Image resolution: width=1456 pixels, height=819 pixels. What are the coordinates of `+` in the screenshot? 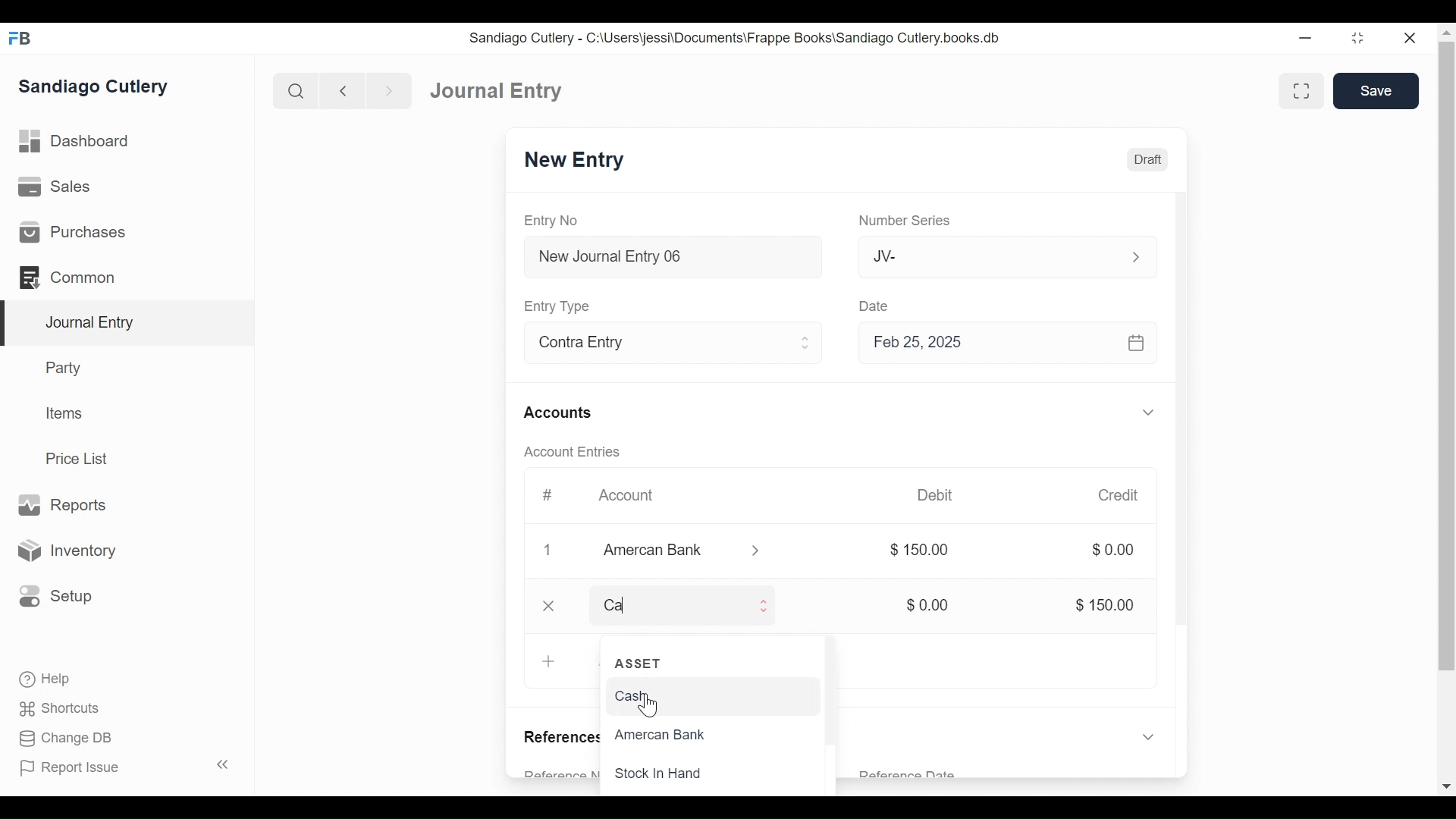 It's located at (549, 660).